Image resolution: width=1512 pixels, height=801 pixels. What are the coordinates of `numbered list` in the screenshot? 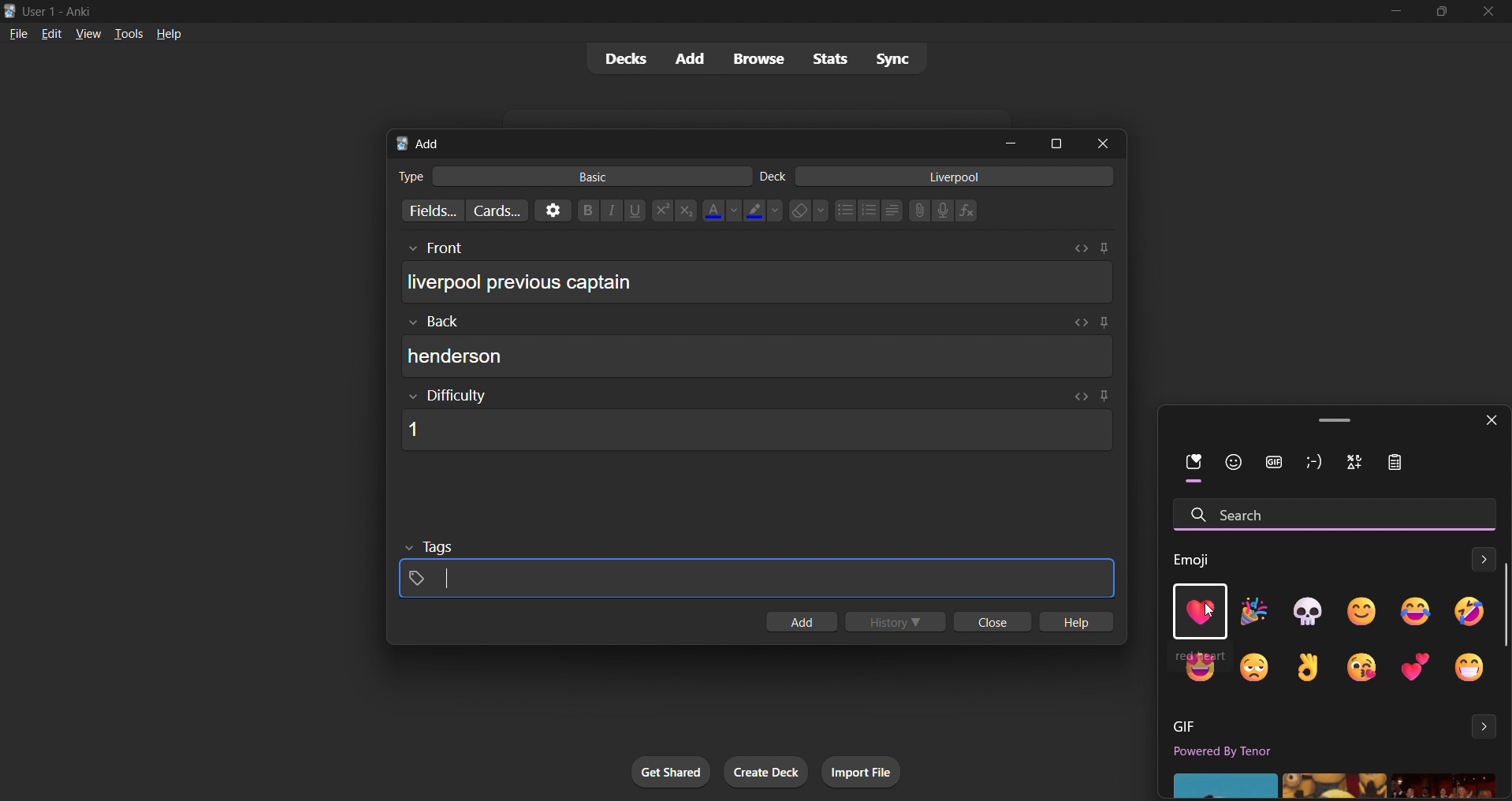 It's located at (870, 212).